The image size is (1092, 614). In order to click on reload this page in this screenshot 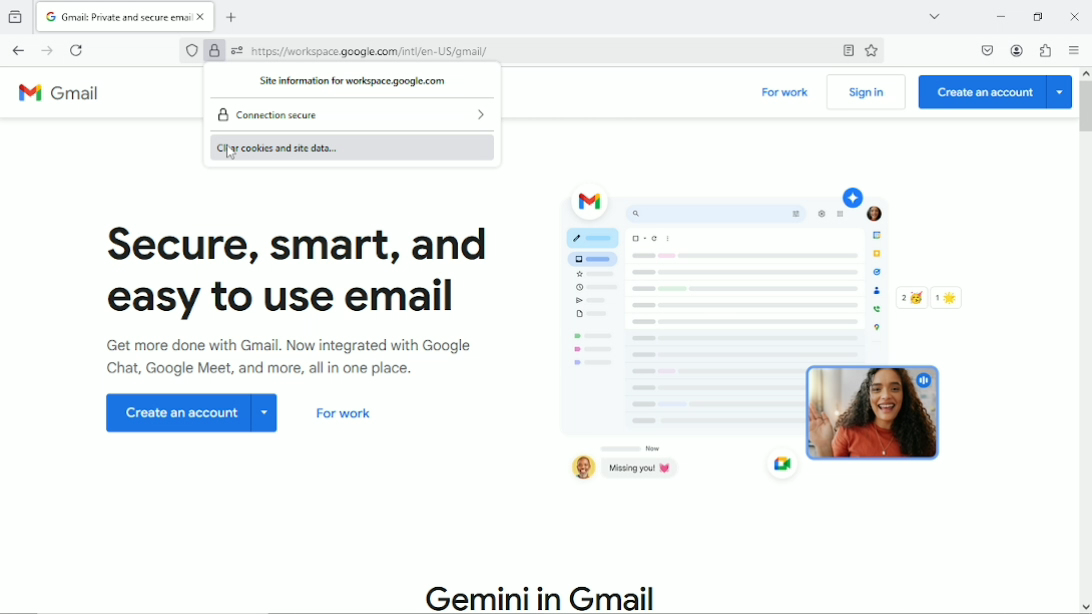, I will do `click(77, 50)`.